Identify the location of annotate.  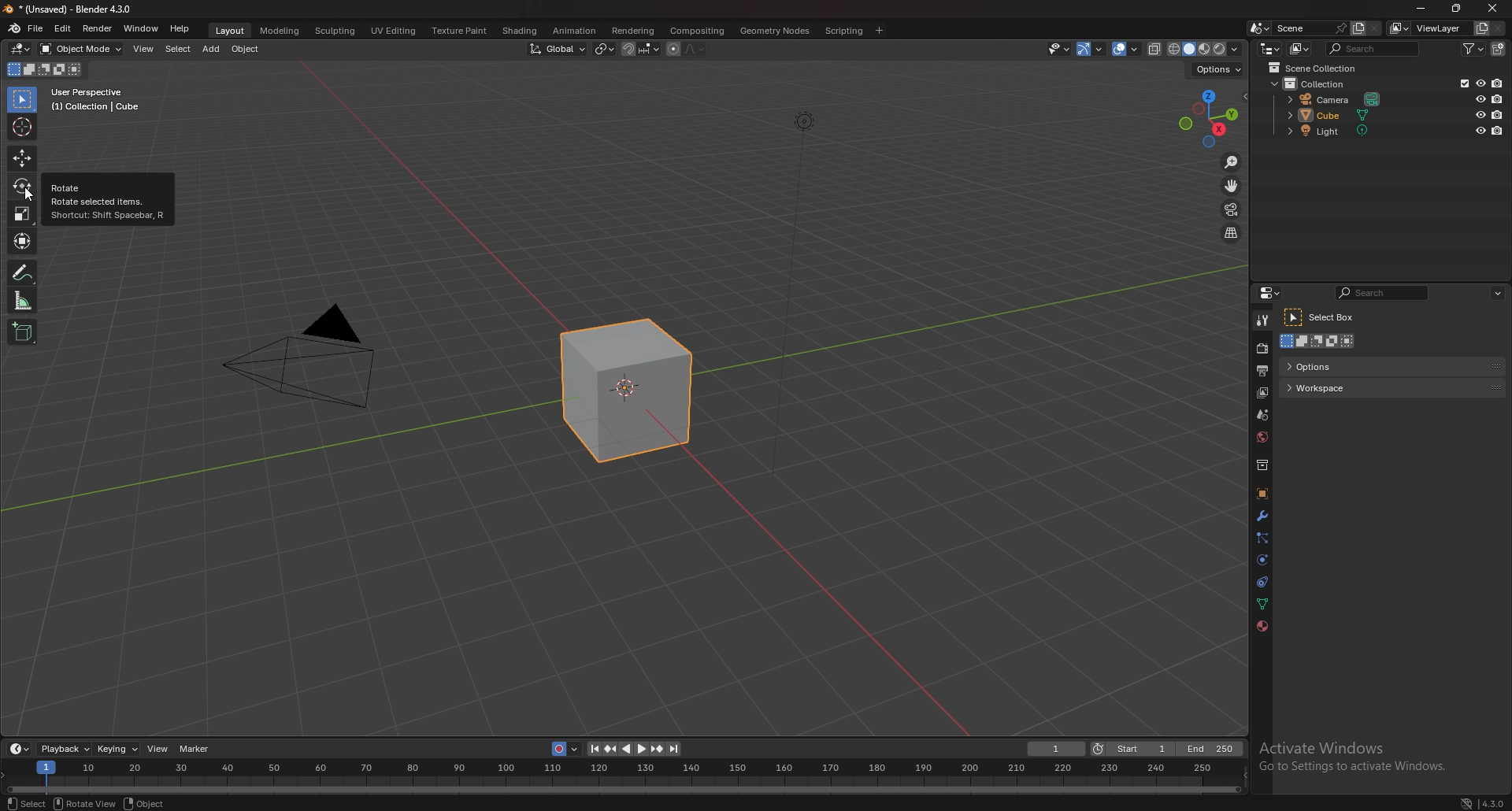
(24, 272).